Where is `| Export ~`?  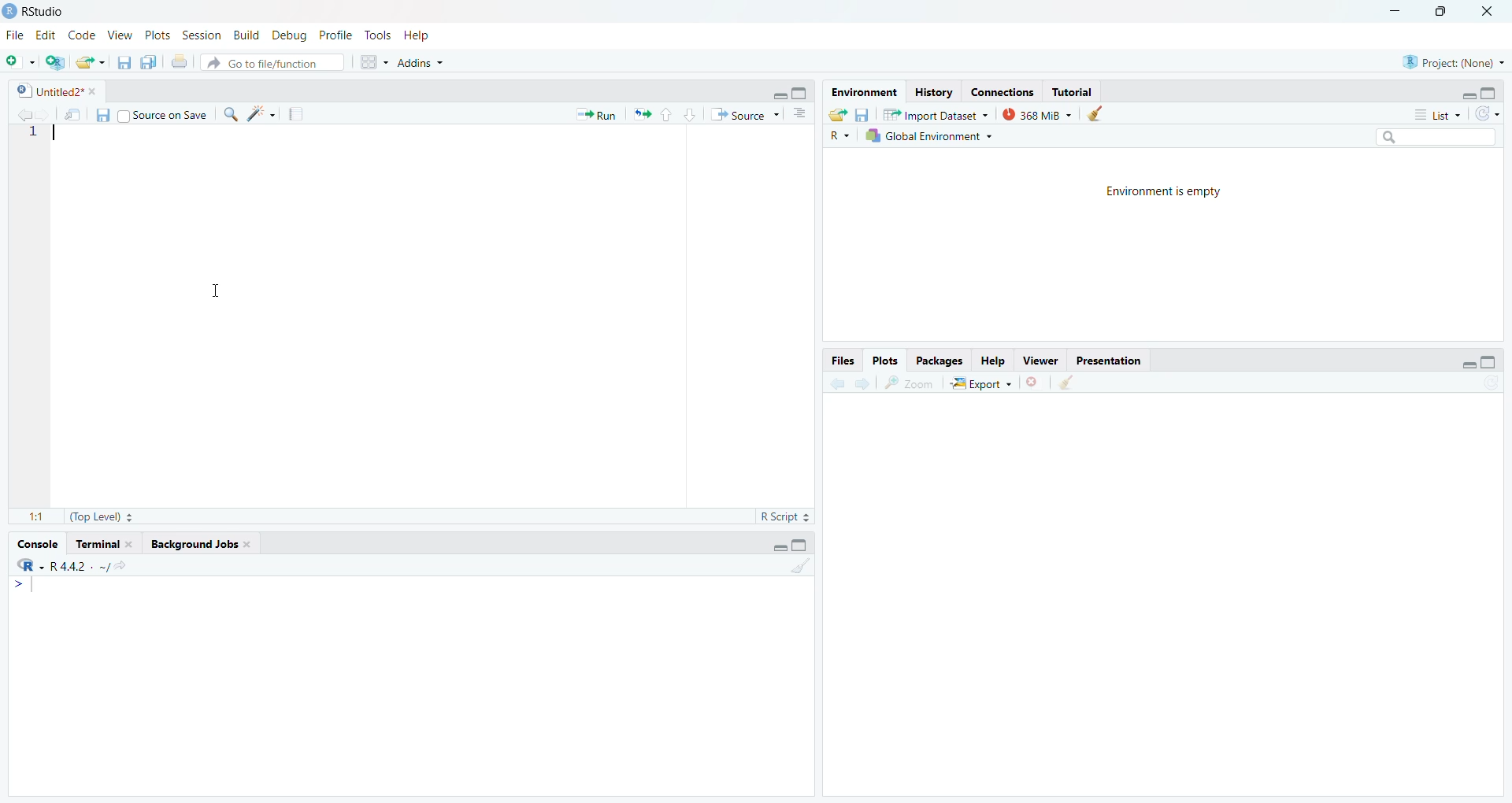
| Export ~ is located at coordinates (983, 385).